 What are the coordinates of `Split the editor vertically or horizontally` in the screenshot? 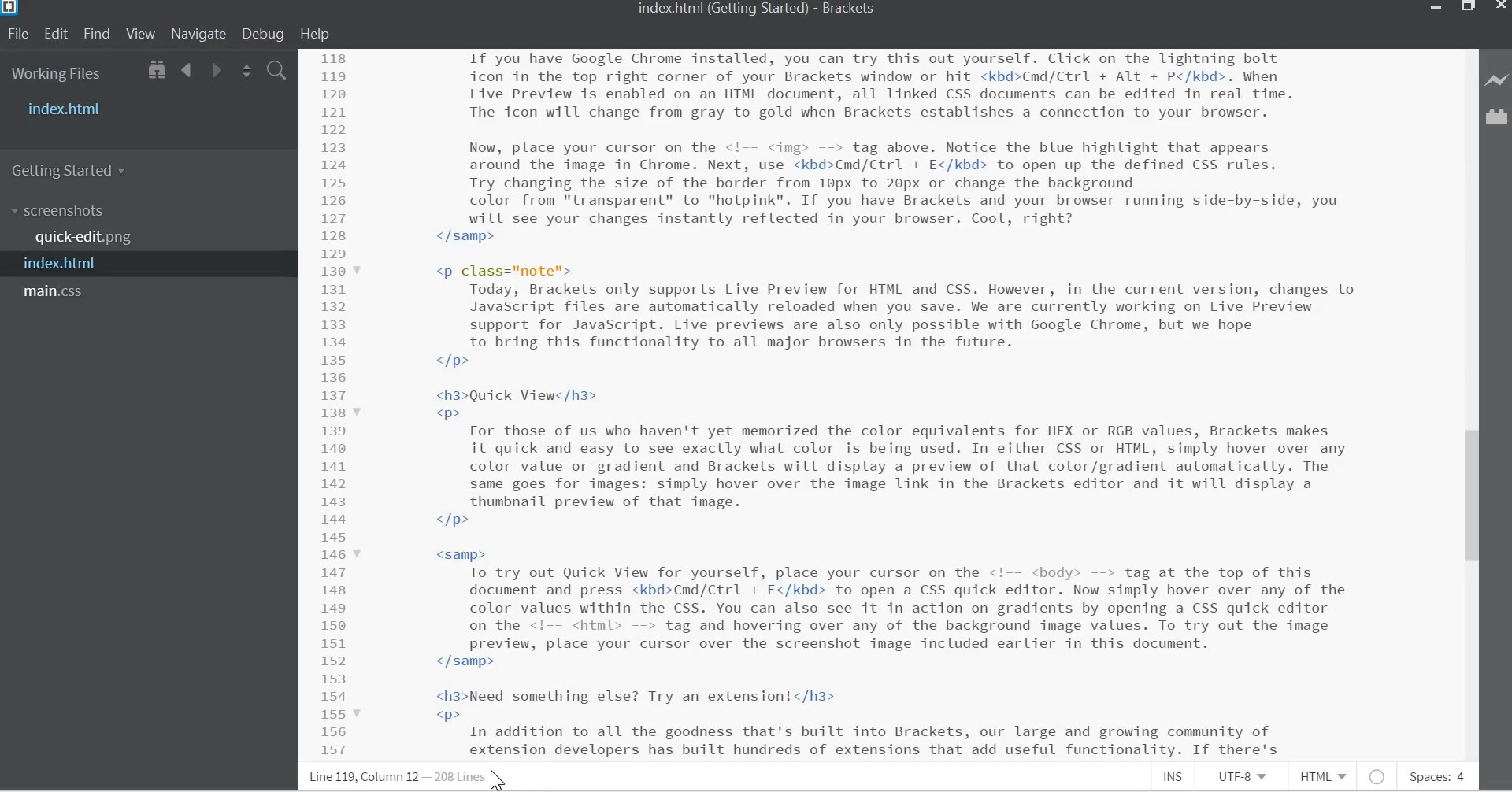 It's located at (247, 72).